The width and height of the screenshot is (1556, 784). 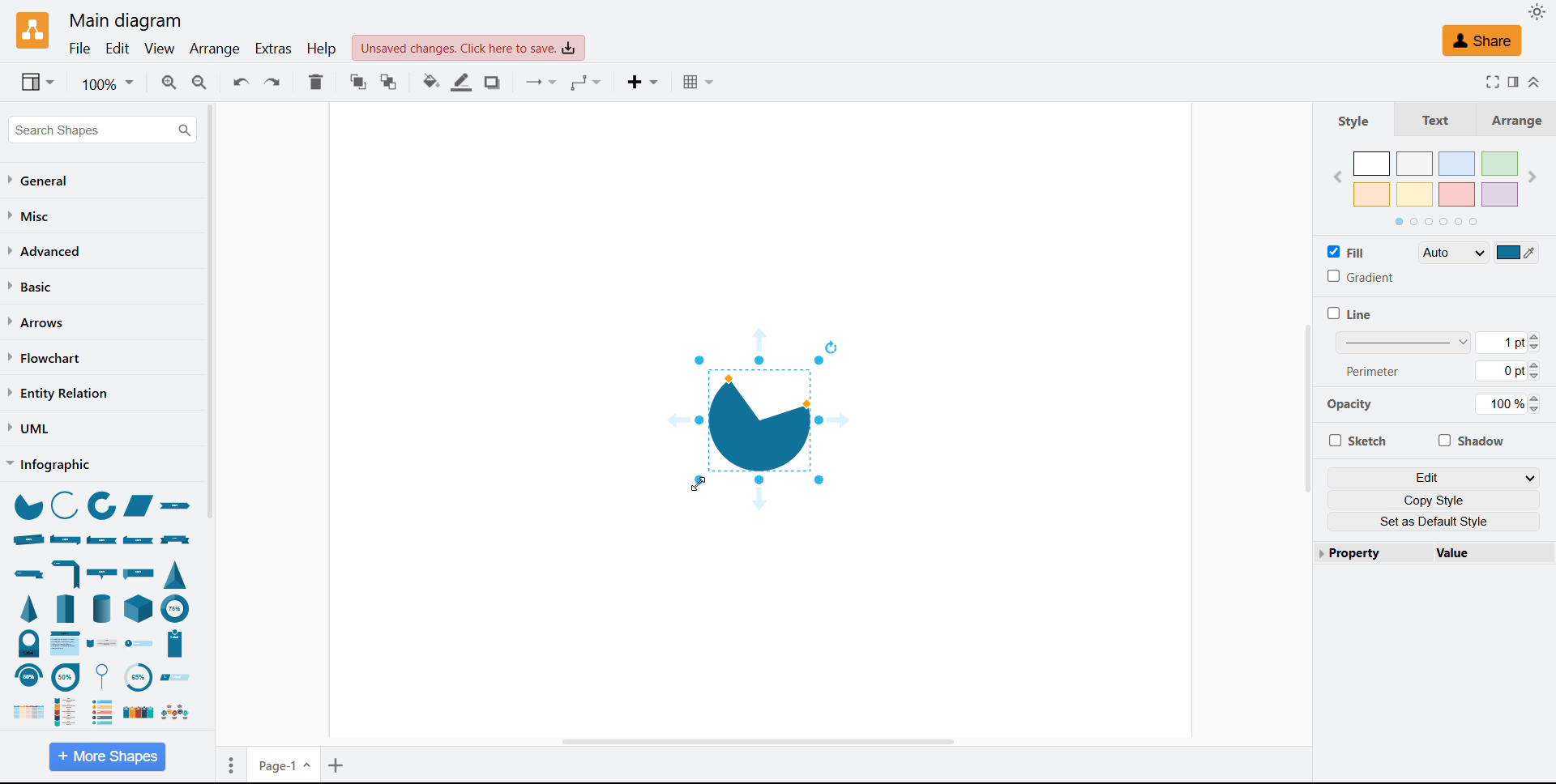 What do you see at coordinates (758, 420) in the screenshot?
I see `pie shape ` at bounding box center [758, 420].